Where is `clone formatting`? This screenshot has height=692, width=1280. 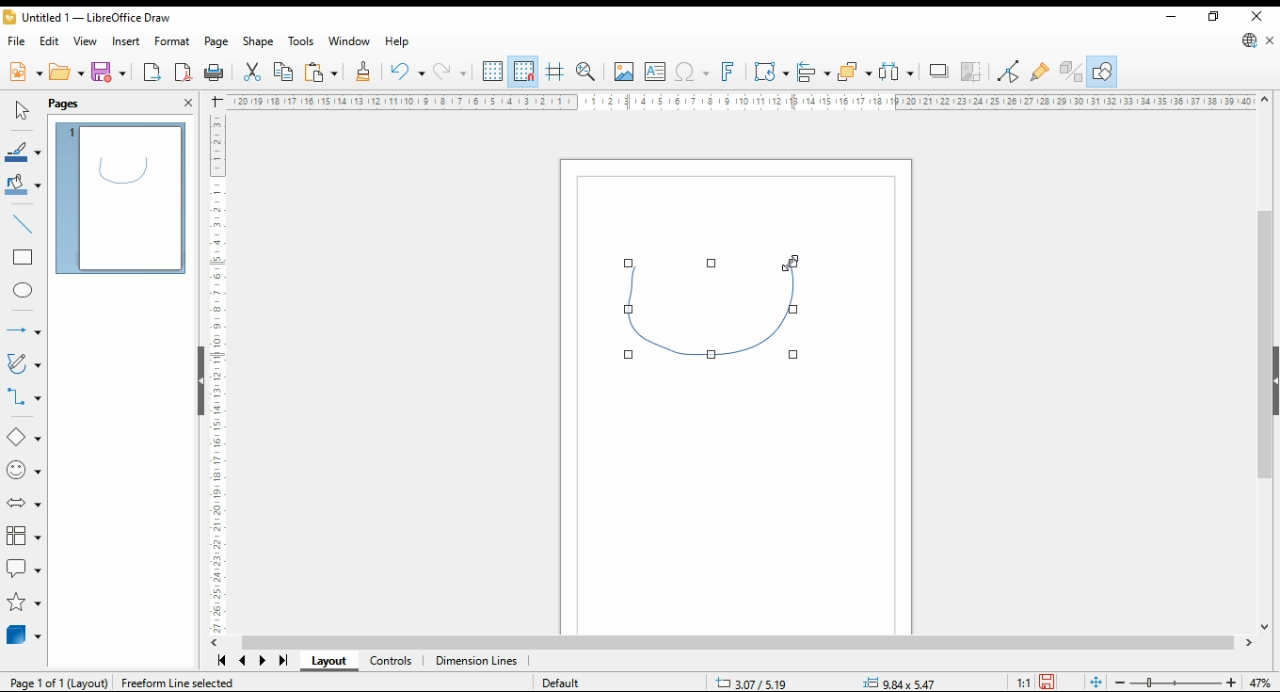
clone formatting is located at coordinates (366, 73).